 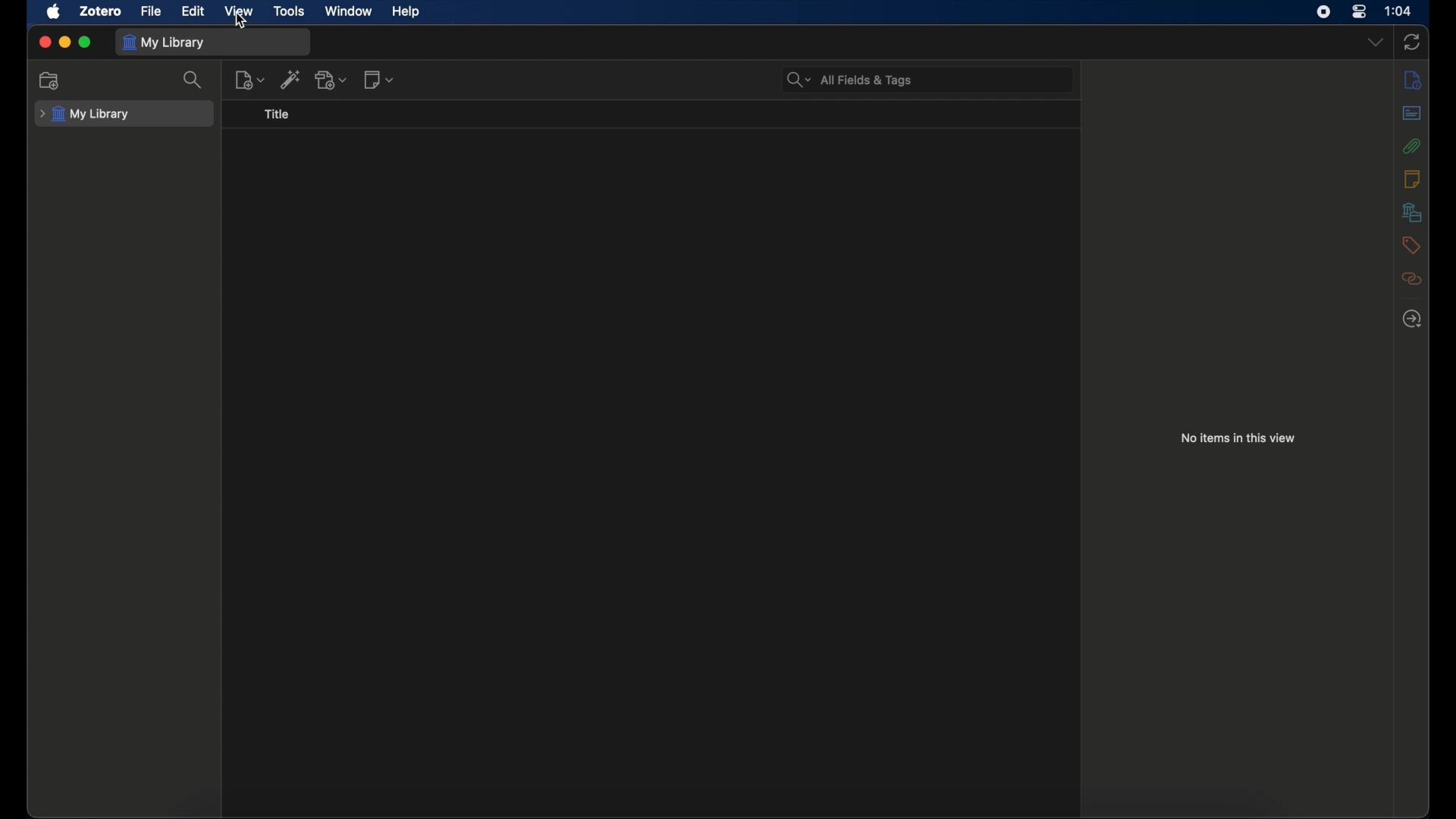 What do you see at coordinates (347, 11) in the screenshot?
I see `window` at bounding box center [347, 11].